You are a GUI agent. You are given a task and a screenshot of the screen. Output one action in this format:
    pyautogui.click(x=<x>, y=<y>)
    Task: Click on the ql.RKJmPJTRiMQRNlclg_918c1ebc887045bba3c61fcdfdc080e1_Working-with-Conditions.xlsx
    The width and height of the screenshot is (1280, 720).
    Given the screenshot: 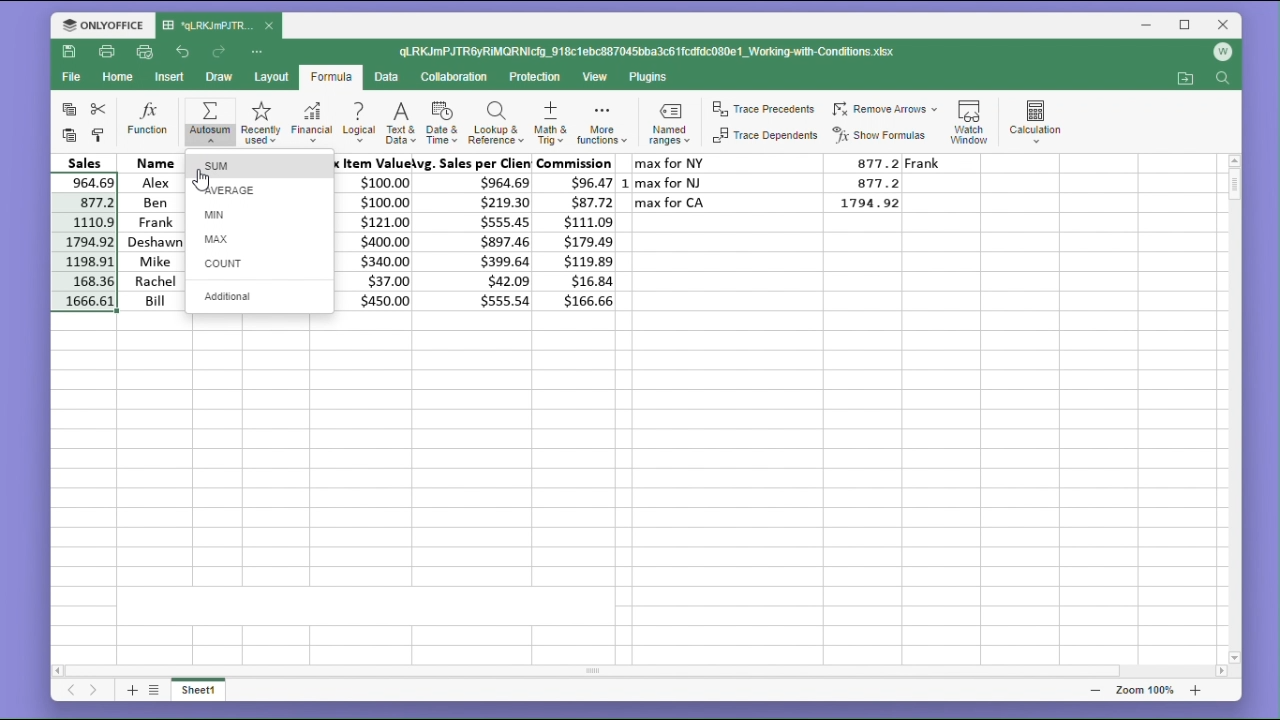 What is the action you would take?
    pyautogui.click(x=668, y=52)
    